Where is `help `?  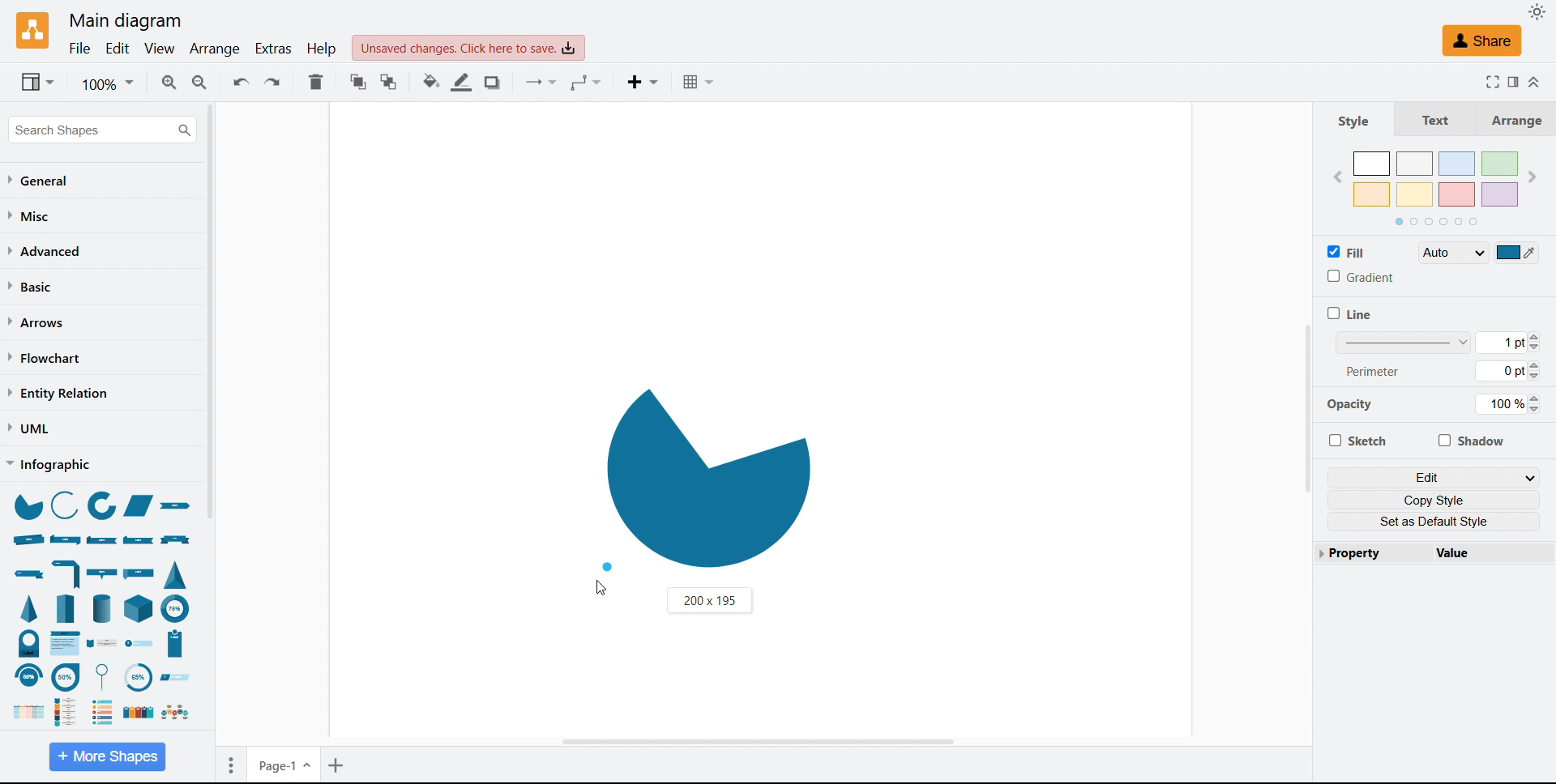
help  is located at coordinates (323, 48).